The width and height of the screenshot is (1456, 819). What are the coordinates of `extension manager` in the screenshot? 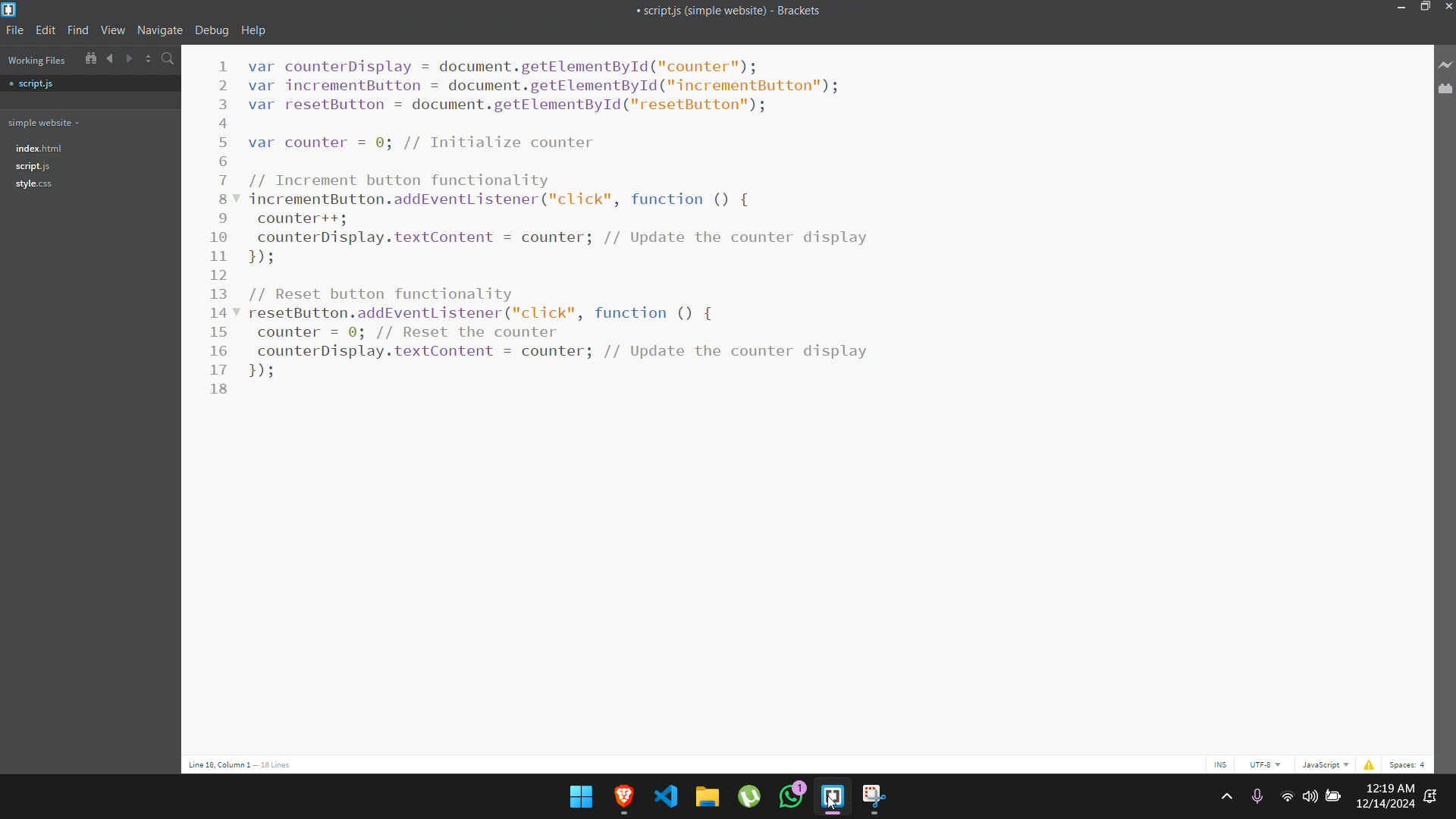 It's located at (1444, 93).